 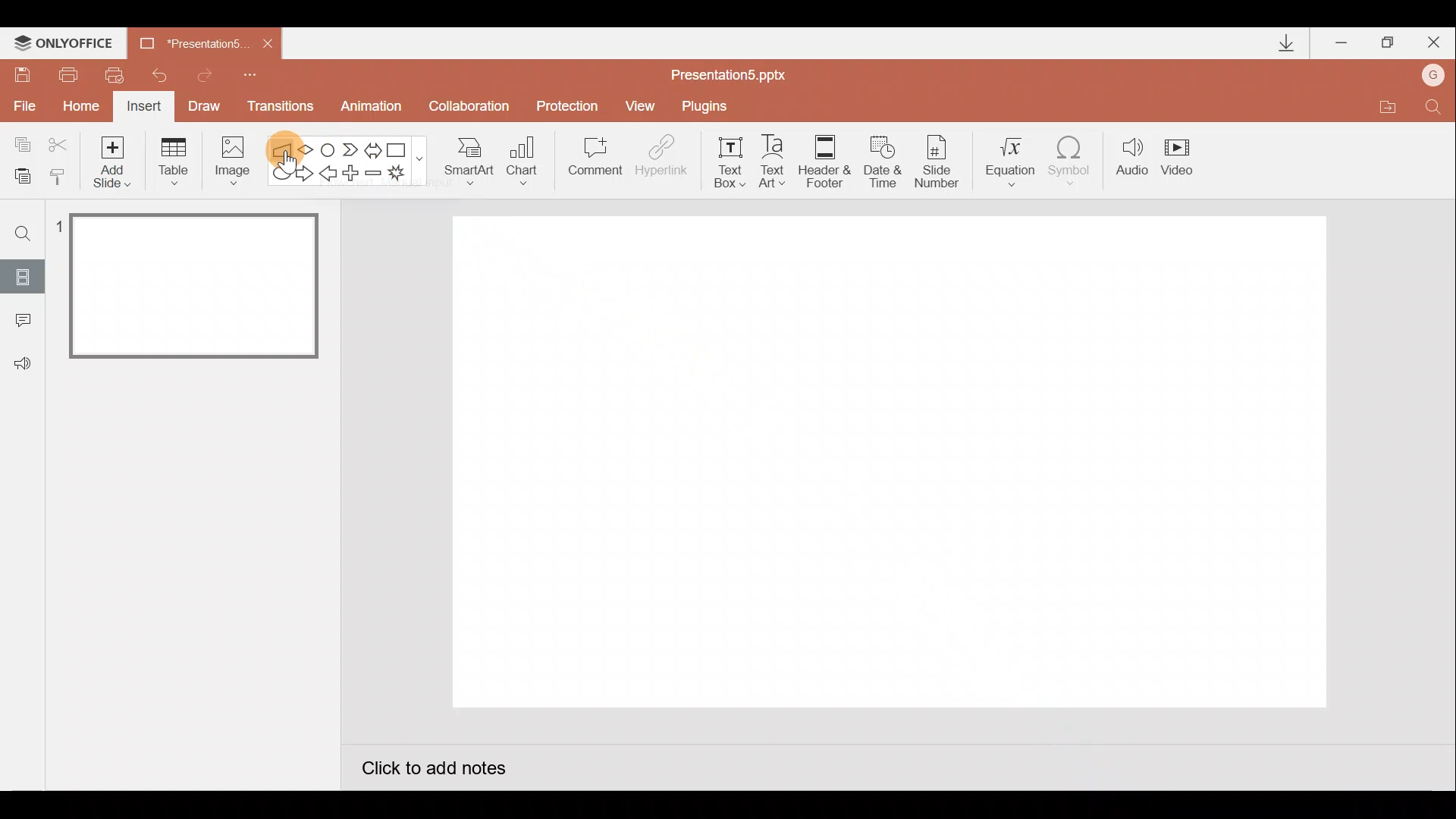 I want to click on Cut, so click(x=61, y=142).